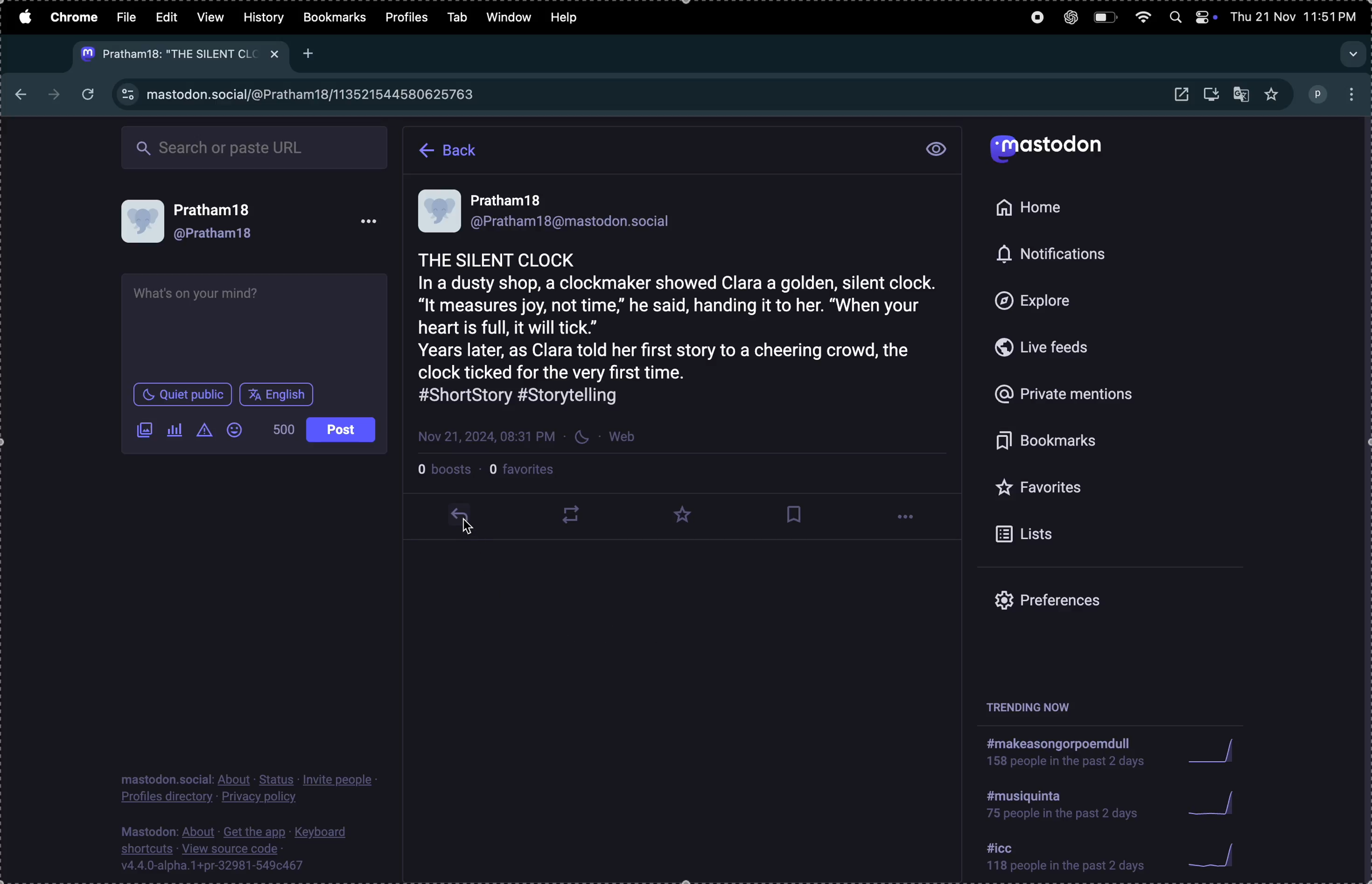 The height and width of the screenshot is (884, 1372). I want to click on date and time, so click(1299, 15).